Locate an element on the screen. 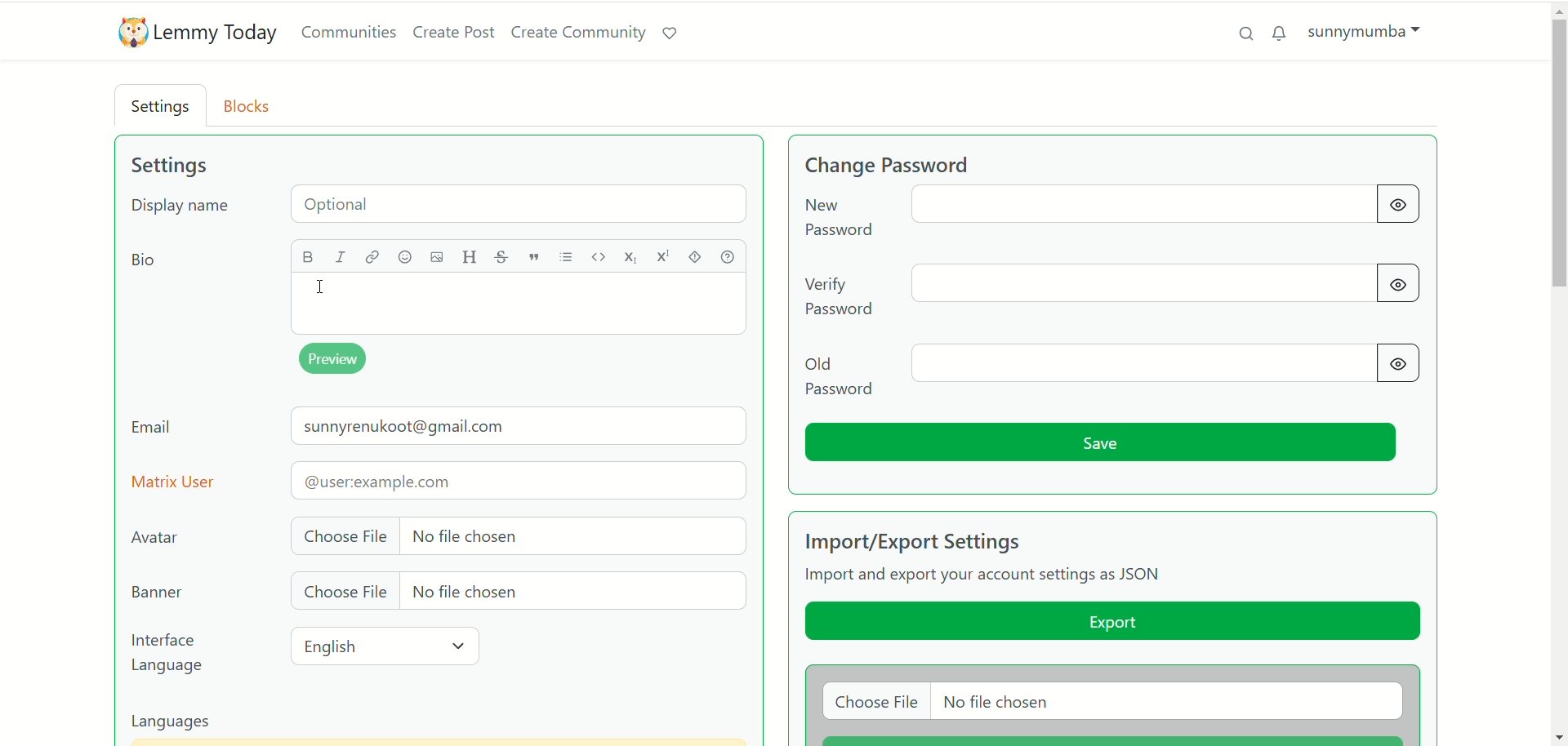 This screenshot has width=1568, height=746. email is located at coordinates (439, 430).